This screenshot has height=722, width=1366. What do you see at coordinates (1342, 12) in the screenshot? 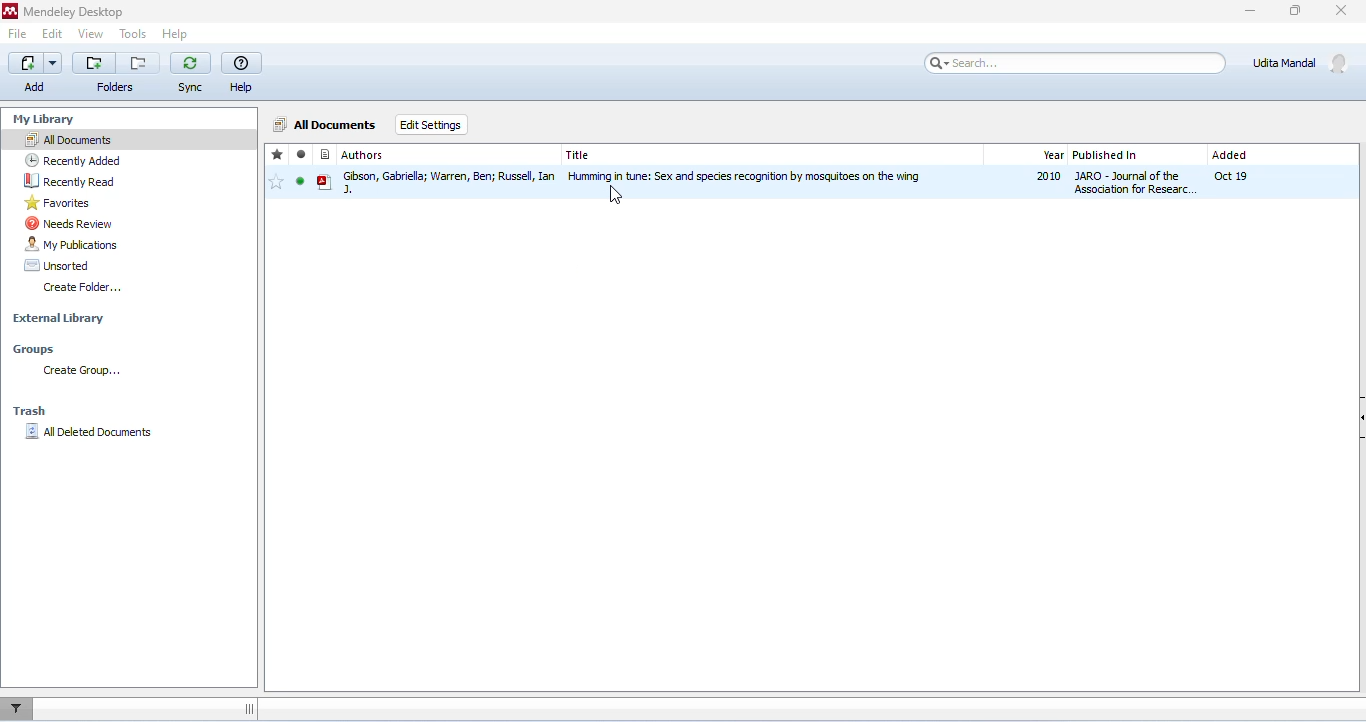
I see `close` at bounding box center [1342, 12].